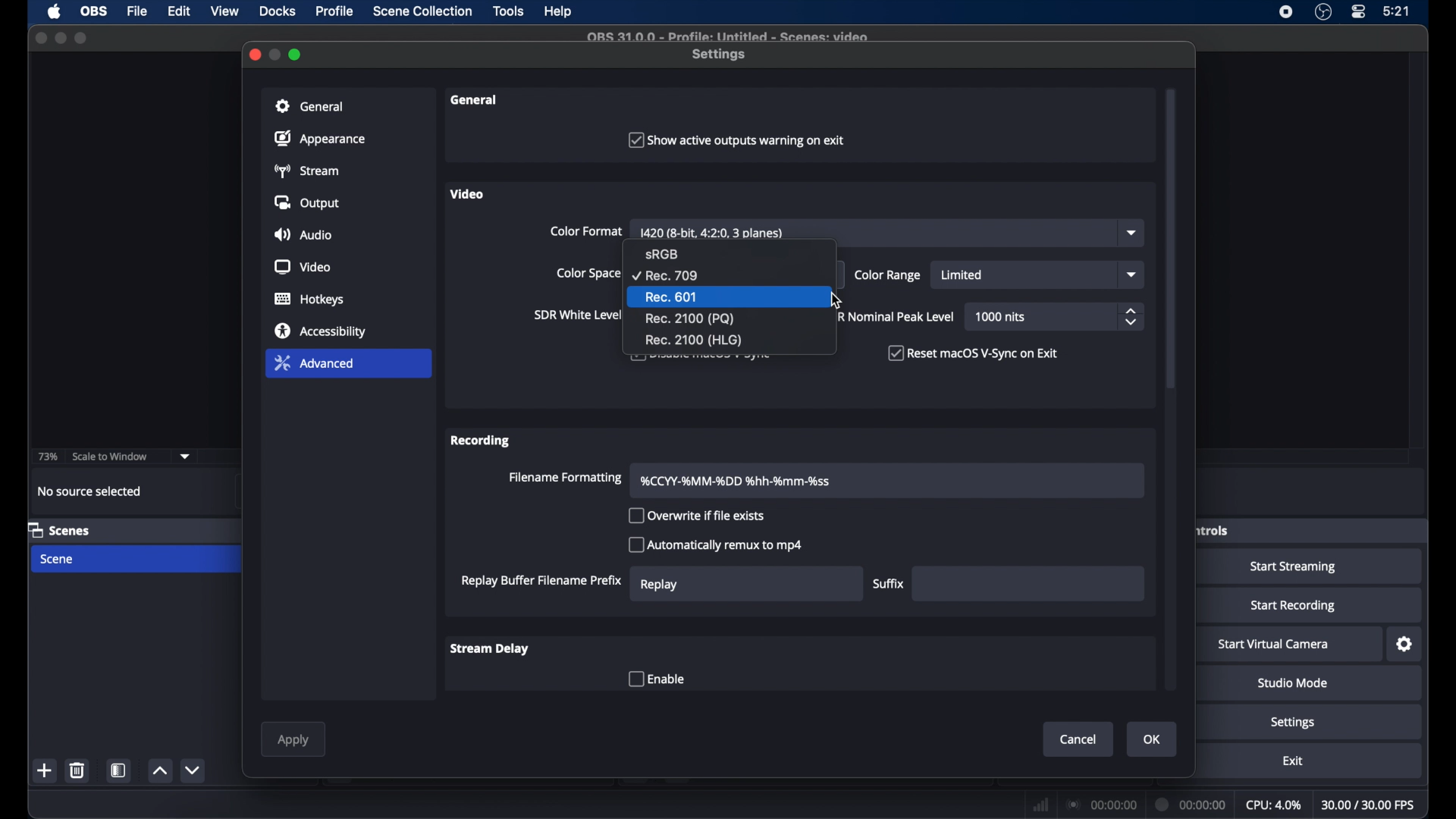 The image size is (1456, 819). What do you see at coordinates (1272, 805) in the screenshot?
I see `cpu` at bounding box center [1272, 805].